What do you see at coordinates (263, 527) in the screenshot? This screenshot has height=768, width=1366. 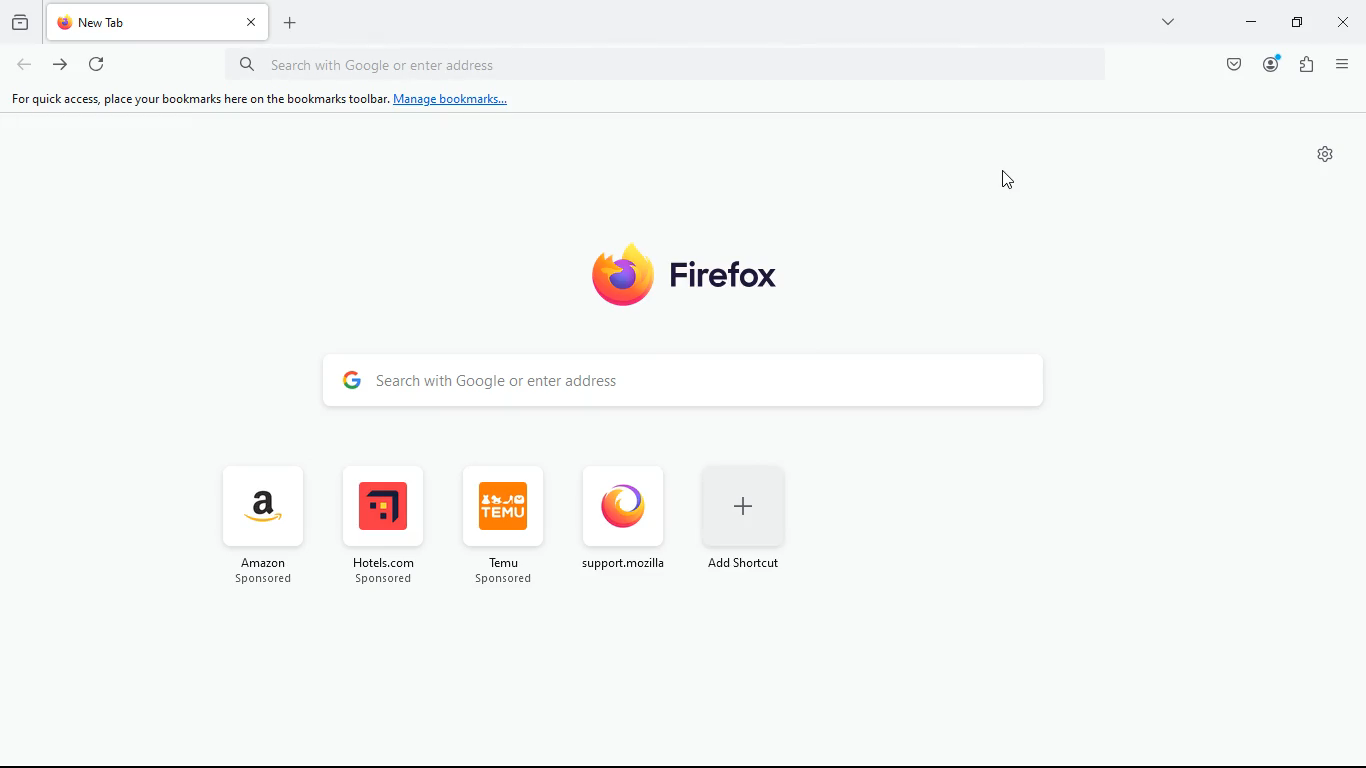 I see `amazon` at bounding box center [263, 527].